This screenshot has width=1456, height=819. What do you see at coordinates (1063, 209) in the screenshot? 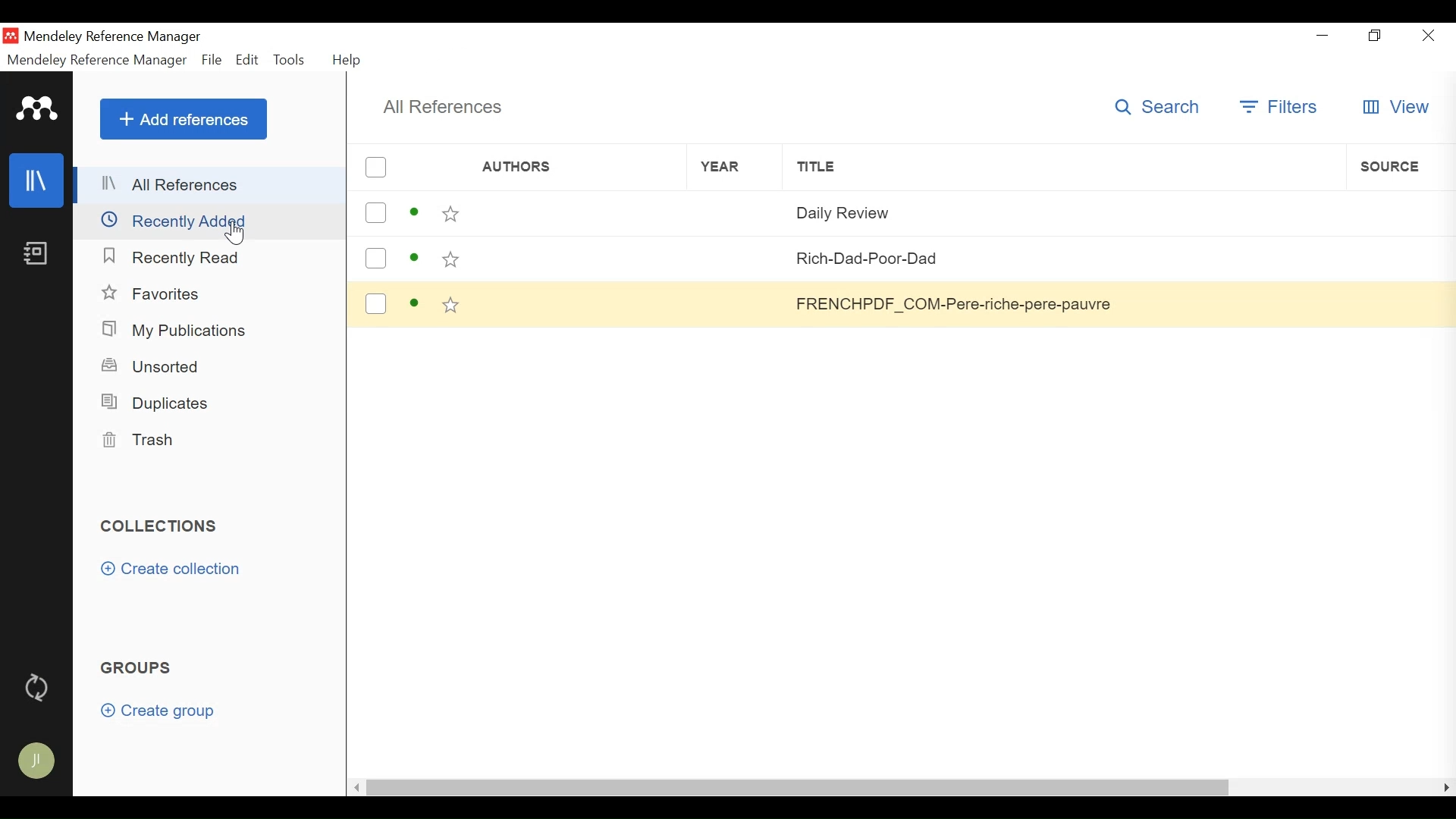
I see `Title` at bounding box center [1063, 209].